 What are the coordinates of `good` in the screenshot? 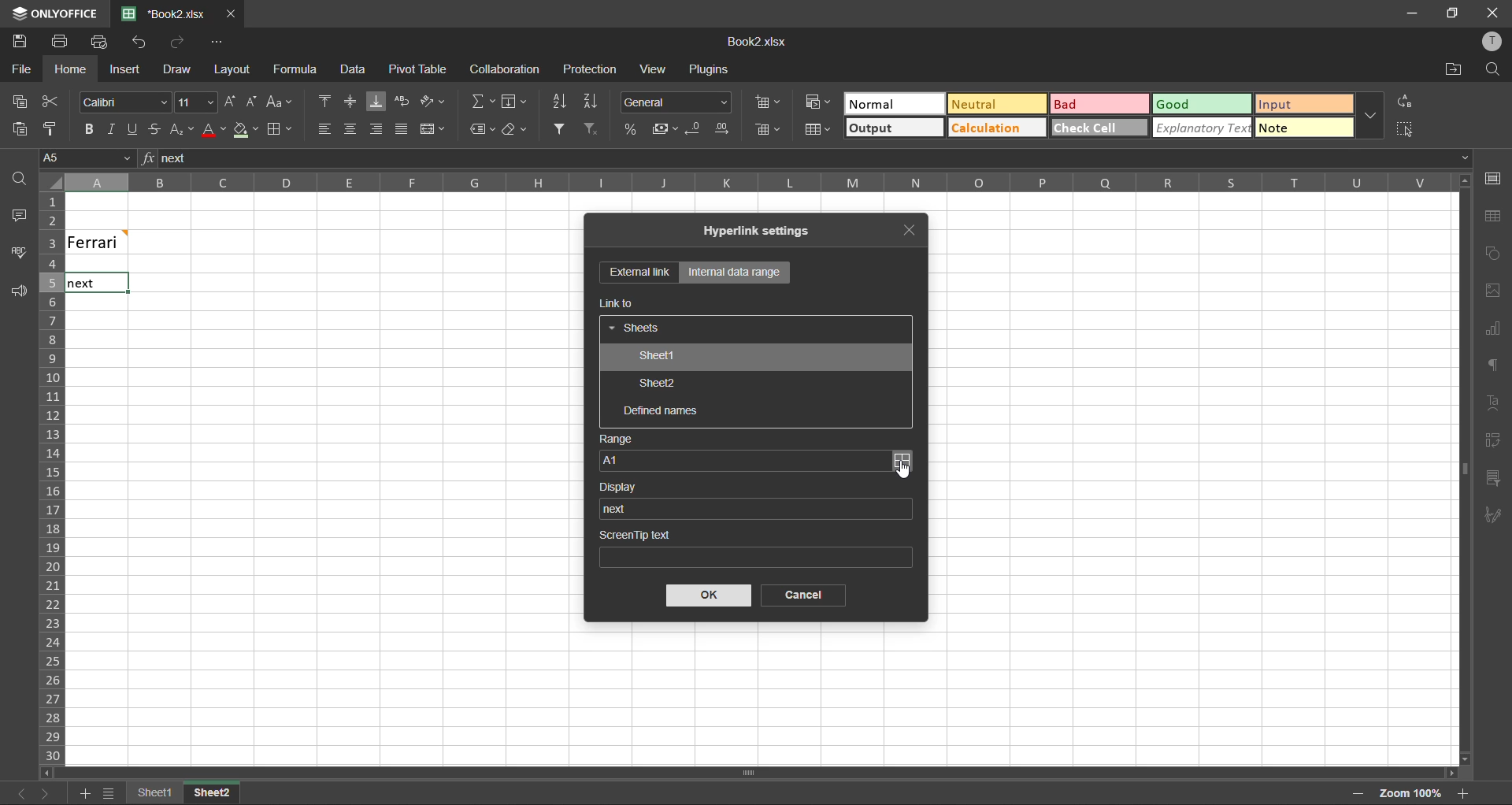 It's located at (1200, 103).